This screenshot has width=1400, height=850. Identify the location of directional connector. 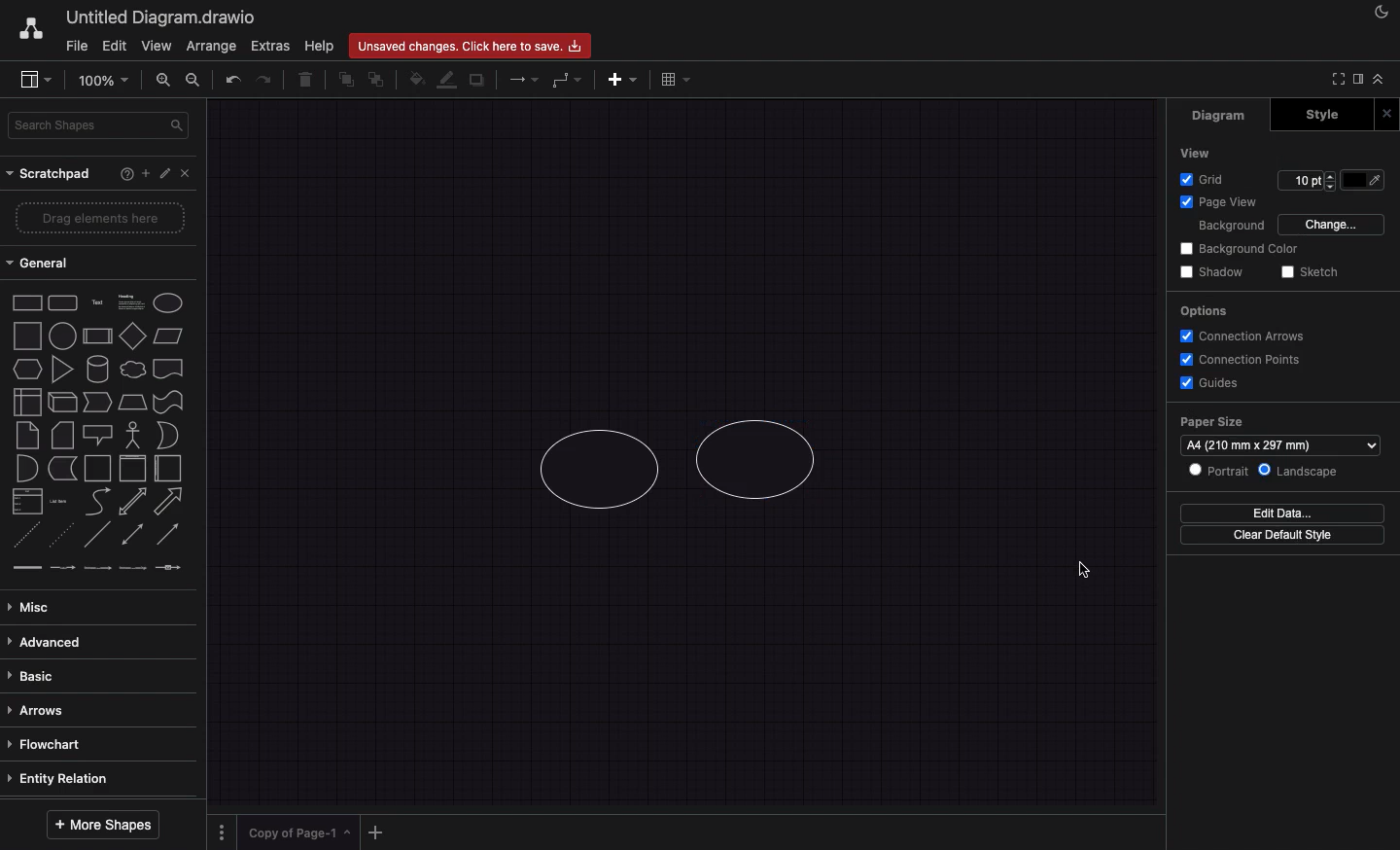
(168, 536).